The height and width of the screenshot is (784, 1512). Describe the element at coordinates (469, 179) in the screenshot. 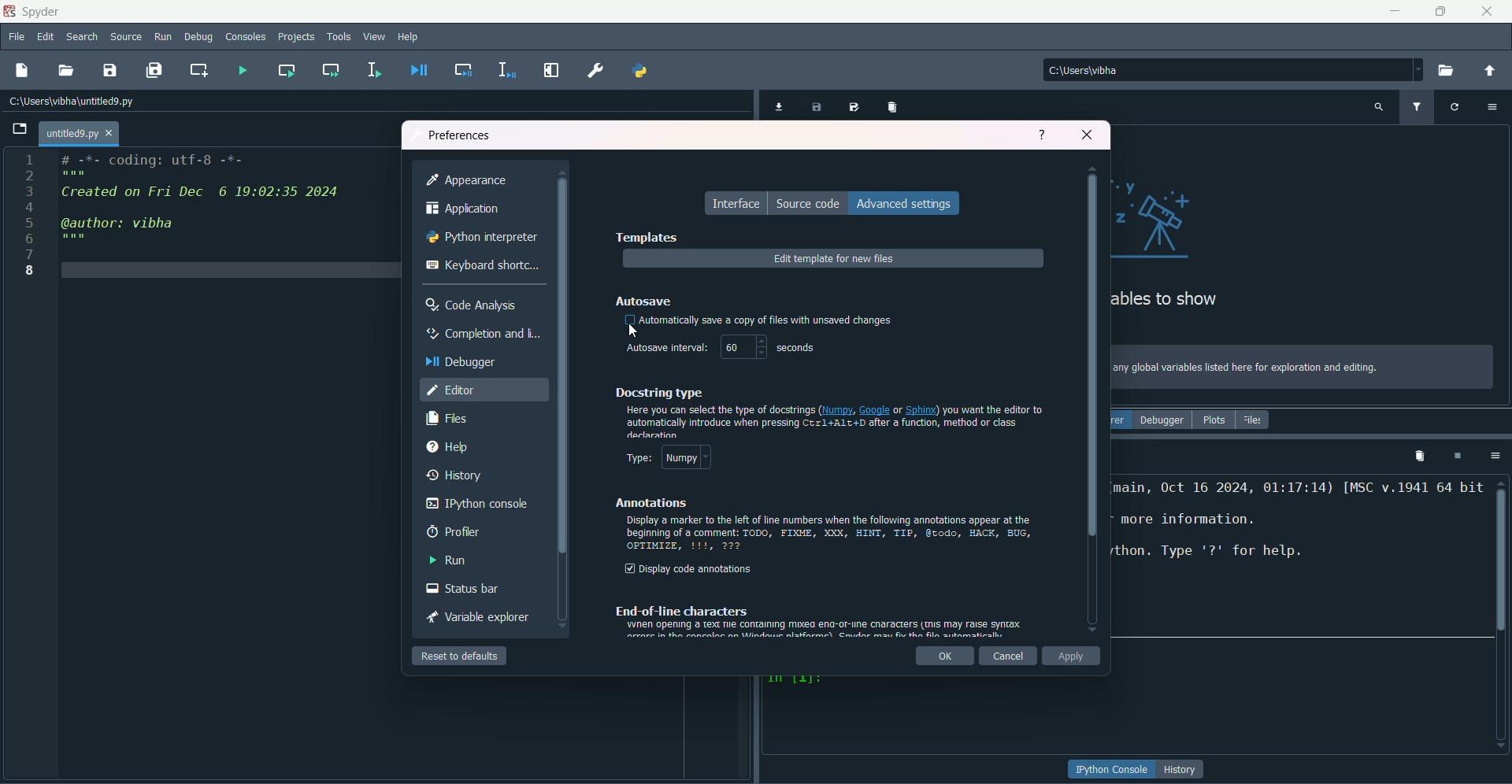

I see `appearance` at that location.